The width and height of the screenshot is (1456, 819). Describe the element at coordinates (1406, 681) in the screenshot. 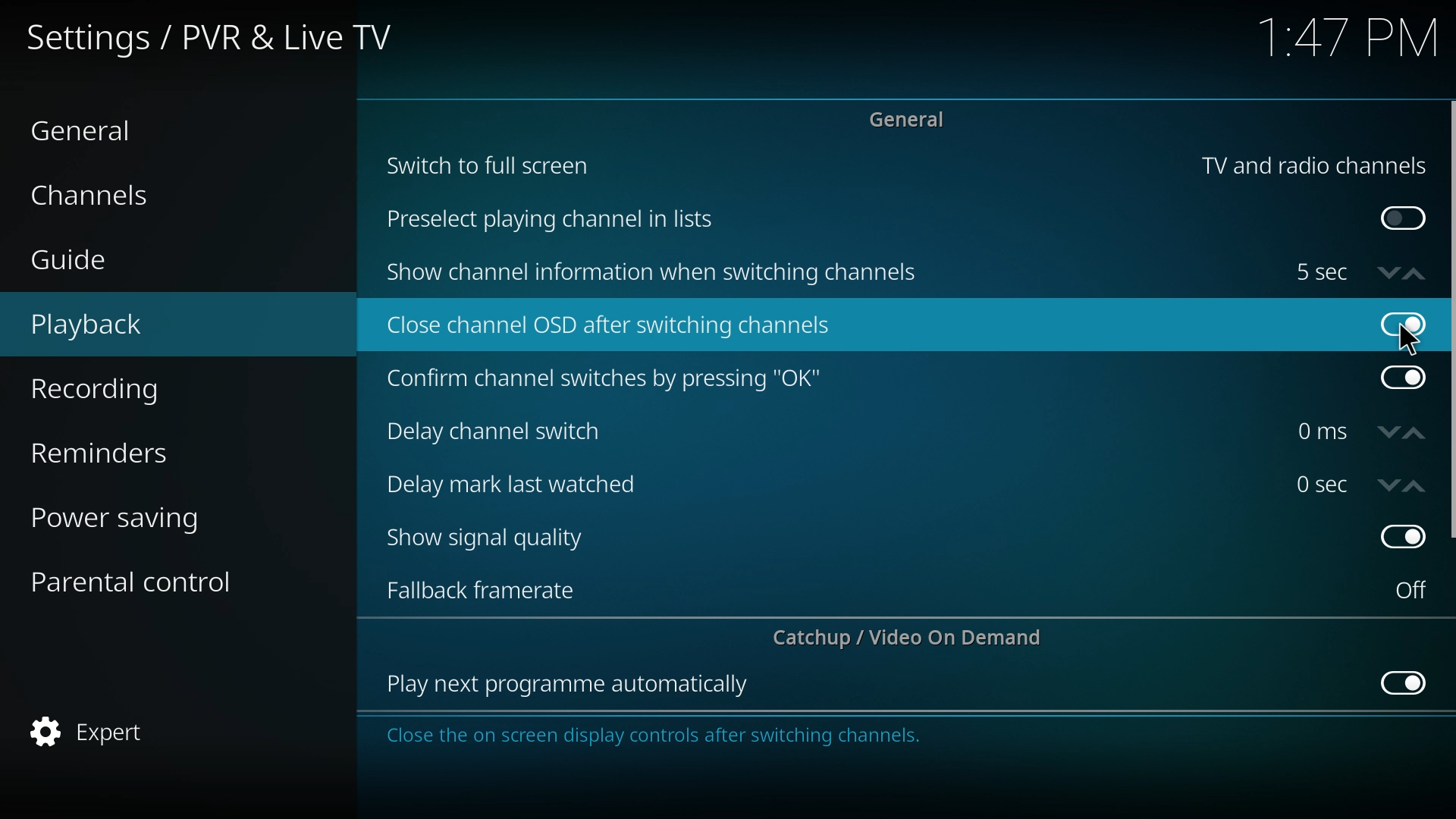

I see `off` at that location.